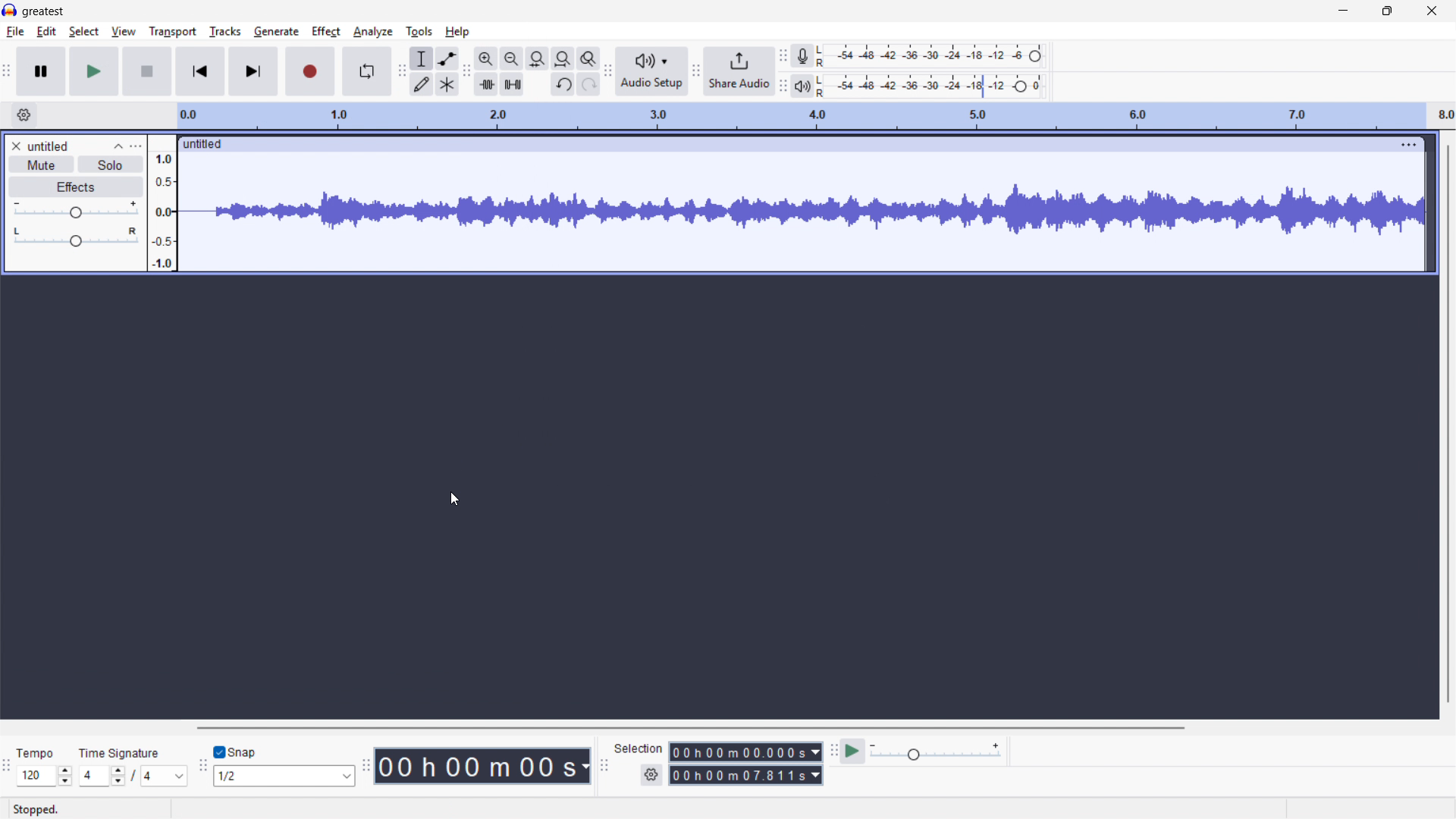  Describe the element at coordinates (202, 767) in the screenshot. I see `snapping toolbar` at that location.